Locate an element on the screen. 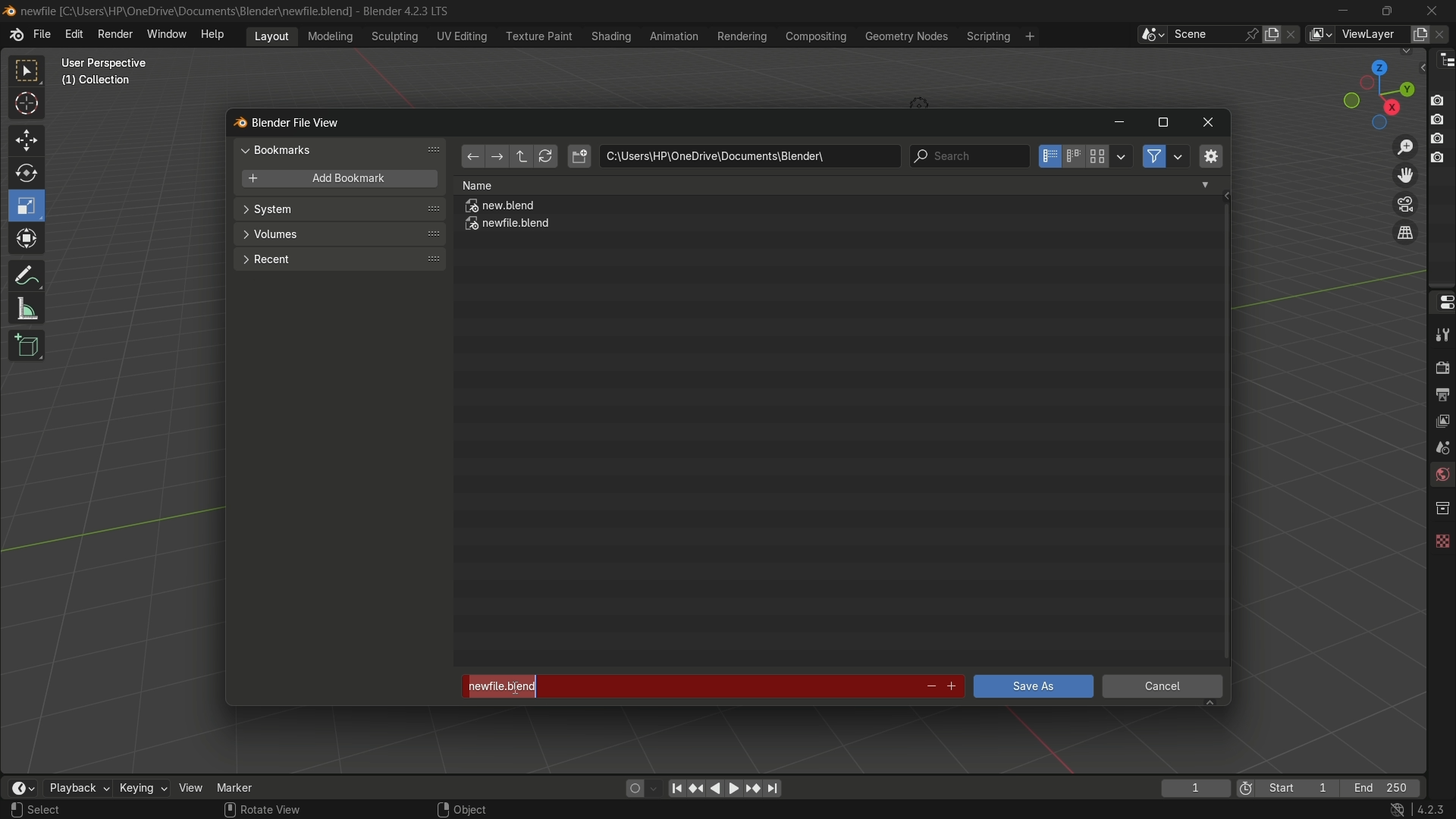 This screenshot has height=819, width=1456. add view layer is located at coordinates (1418, 33).